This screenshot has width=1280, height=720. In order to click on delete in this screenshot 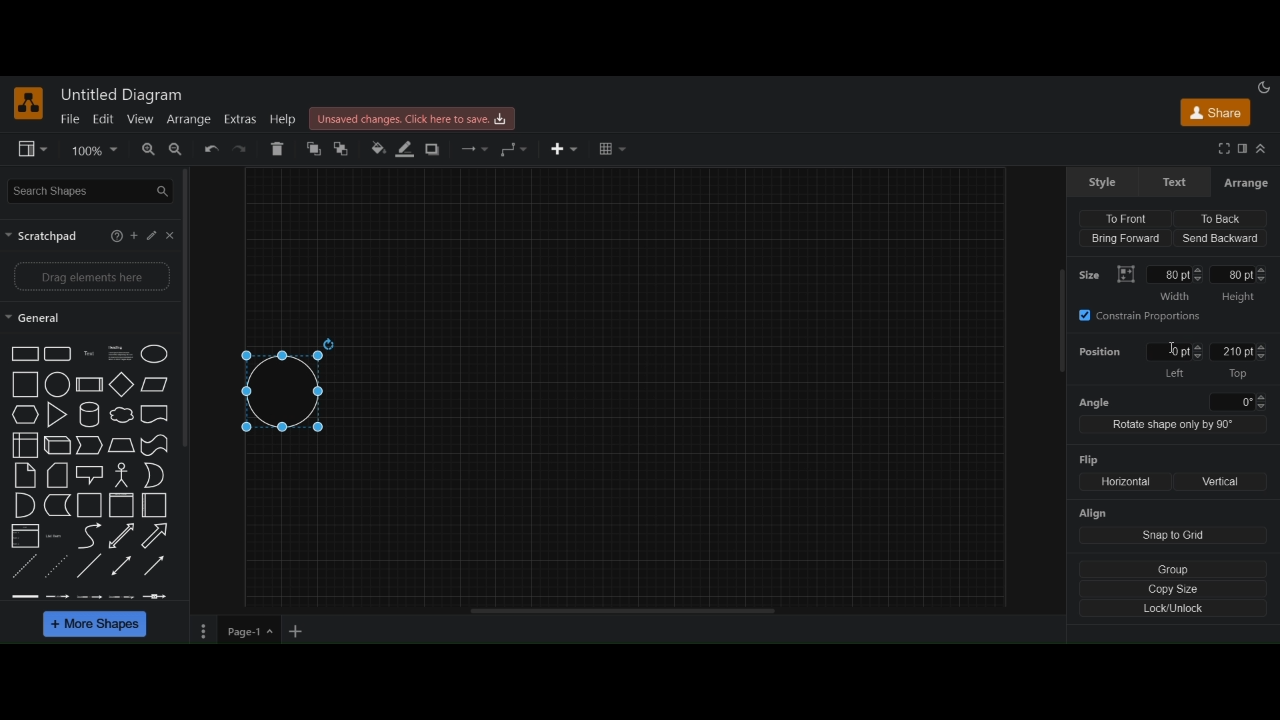, I will do `click(279, 148)`.